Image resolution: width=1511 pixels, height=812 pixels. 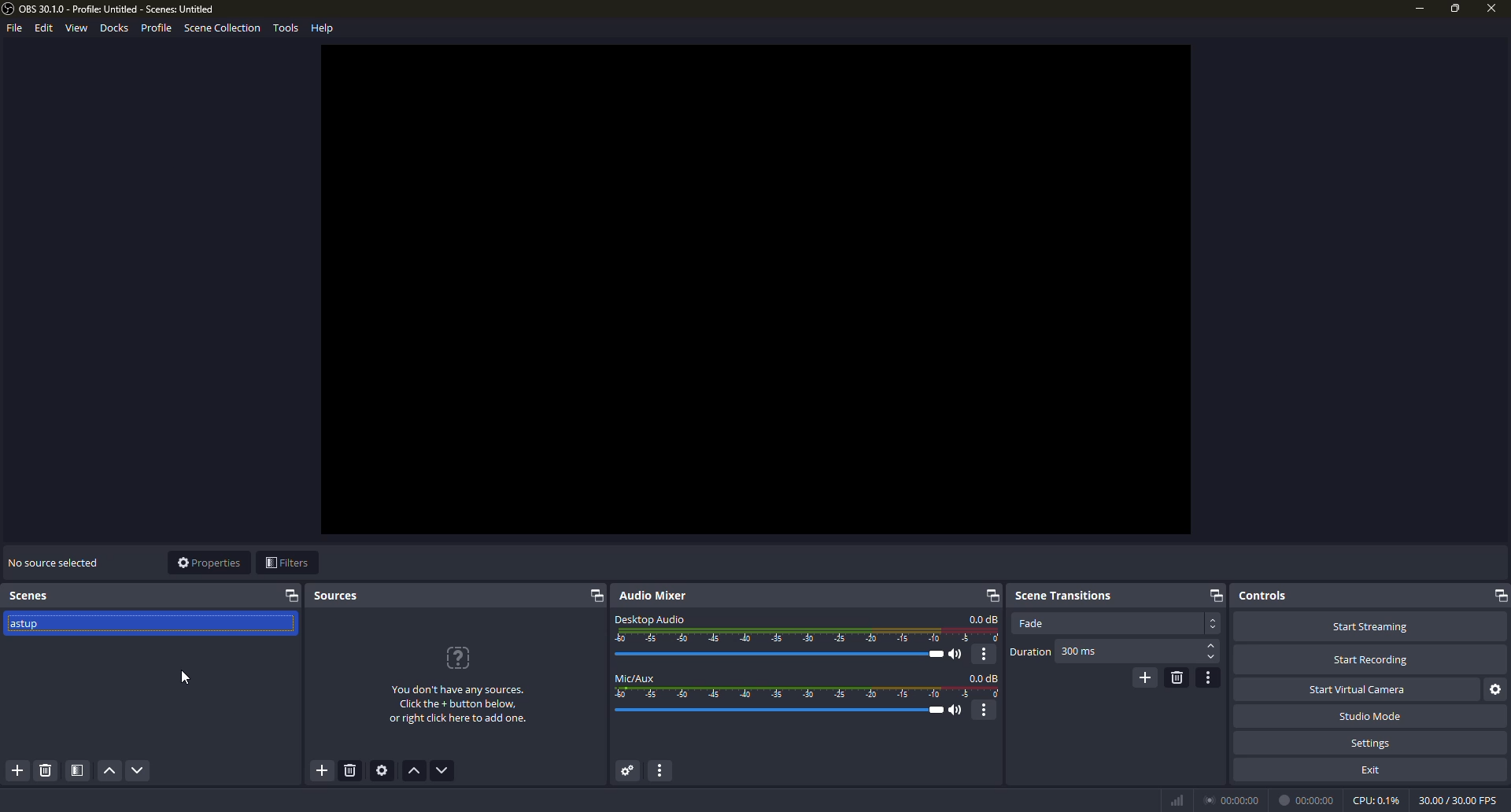 I want to click on range select, so click(x=808, y=693).